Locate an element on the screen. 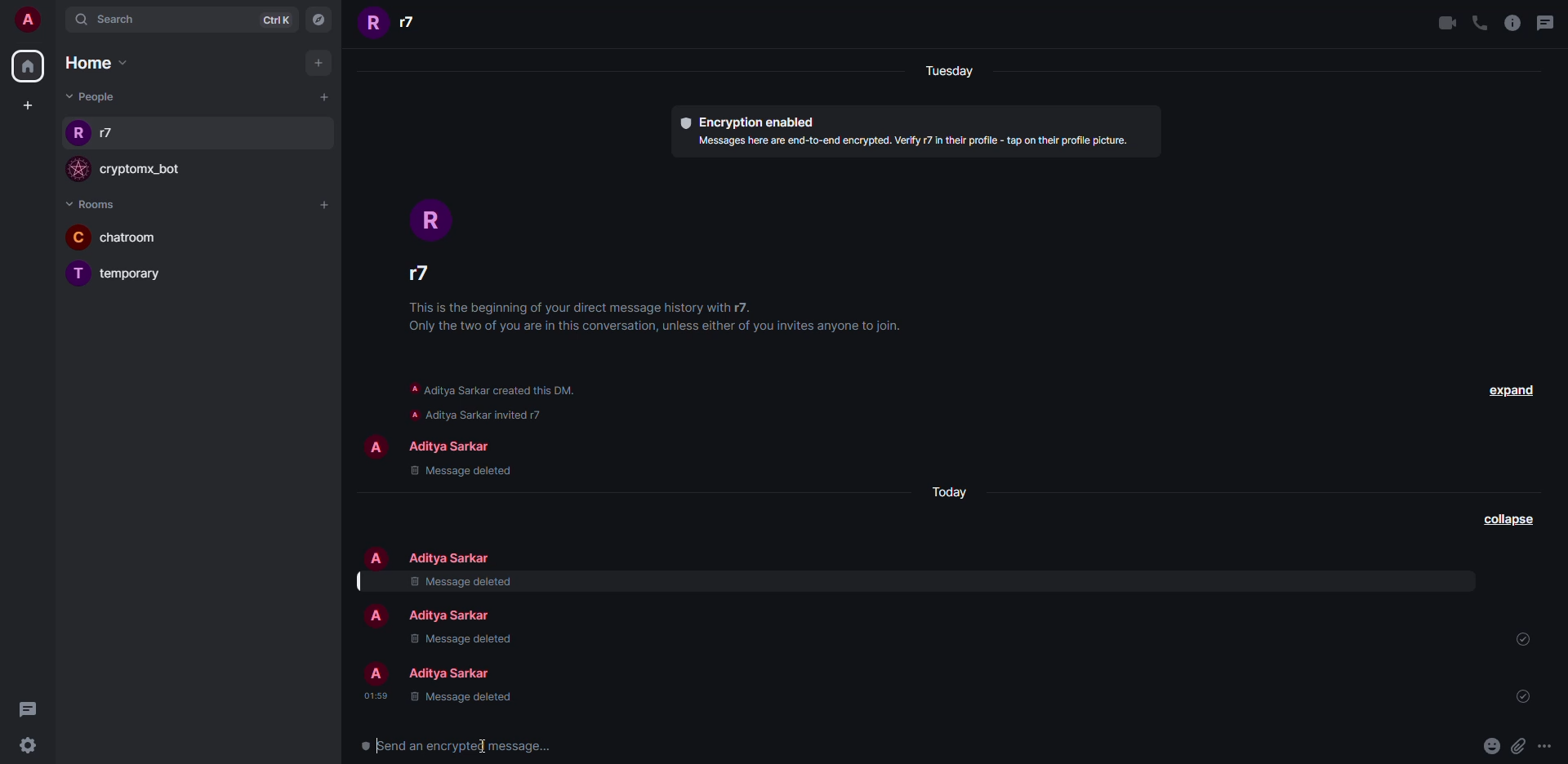  add is located at coordinates (318, 63).